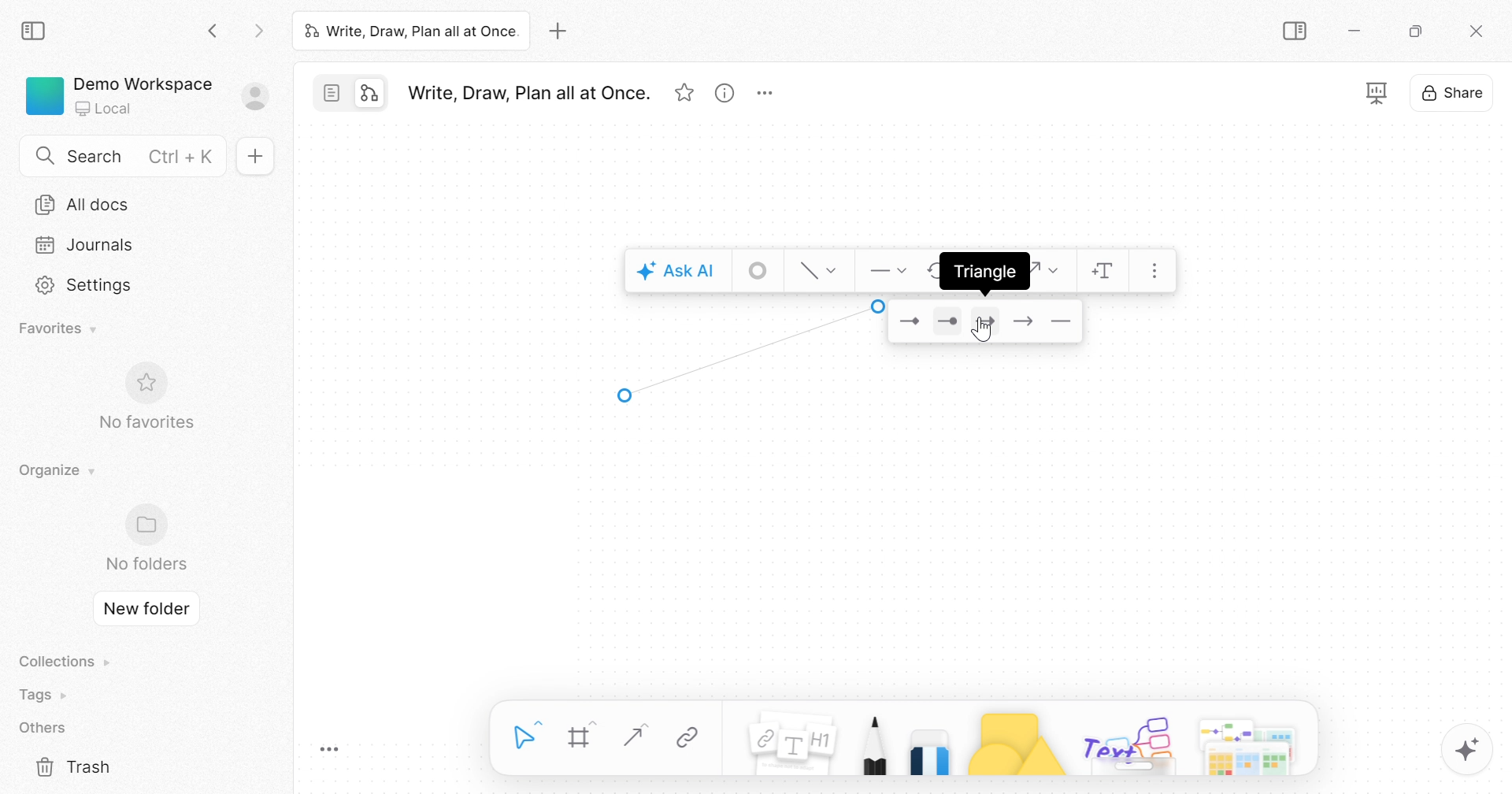 The image size is (1512, 794). I want to click on Frame, so click(581, 737).